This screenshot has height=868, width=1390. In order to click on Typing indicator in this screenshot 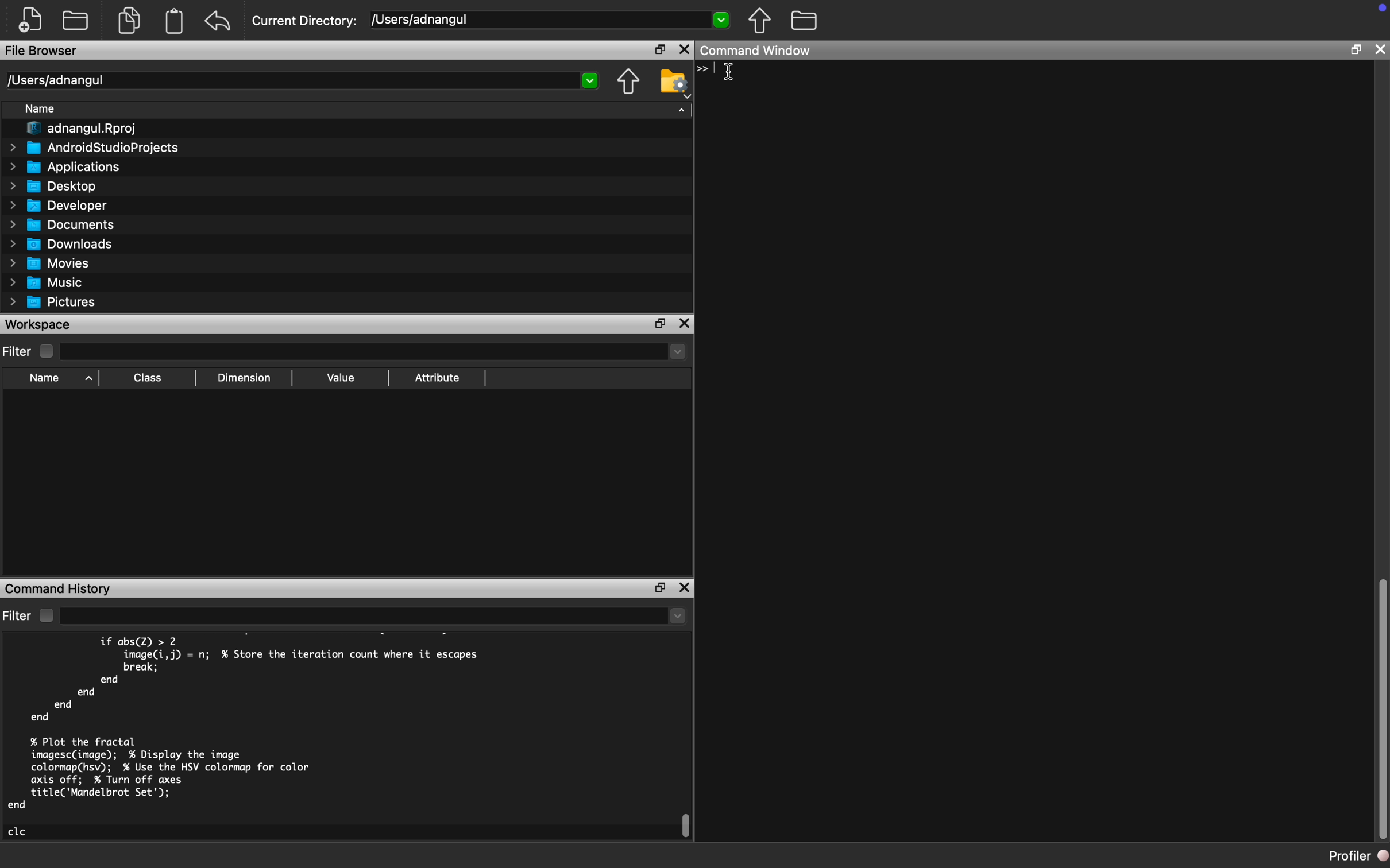, I will do `click(709, 69)`.